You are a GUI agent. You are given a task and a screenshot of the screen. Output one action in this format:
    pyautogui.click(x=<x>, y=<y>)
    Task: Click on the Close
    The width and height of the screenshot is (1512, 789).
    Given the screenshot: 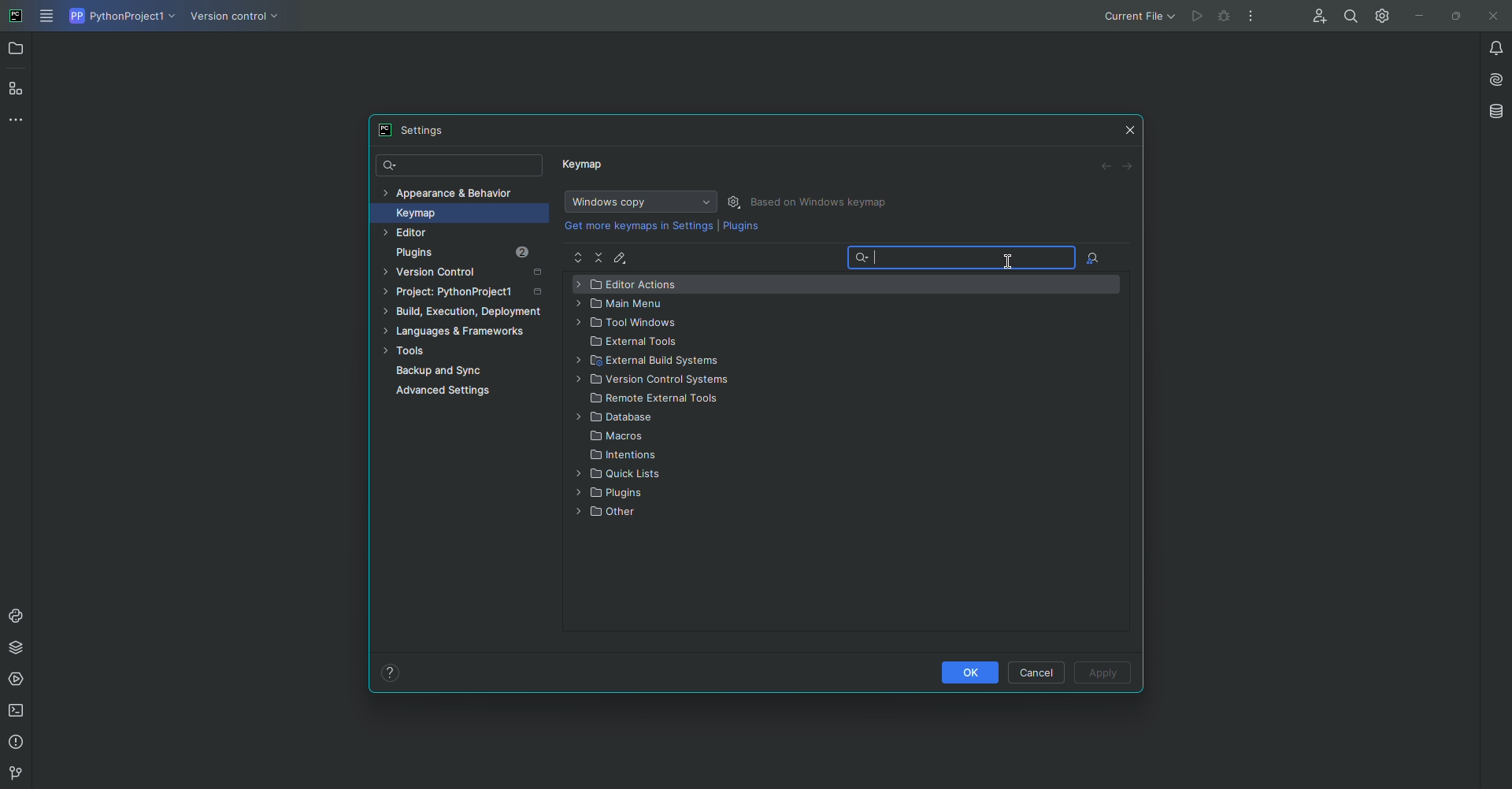 What is the action you would take?
    pyautogui.click(x=1131, y=127)
    